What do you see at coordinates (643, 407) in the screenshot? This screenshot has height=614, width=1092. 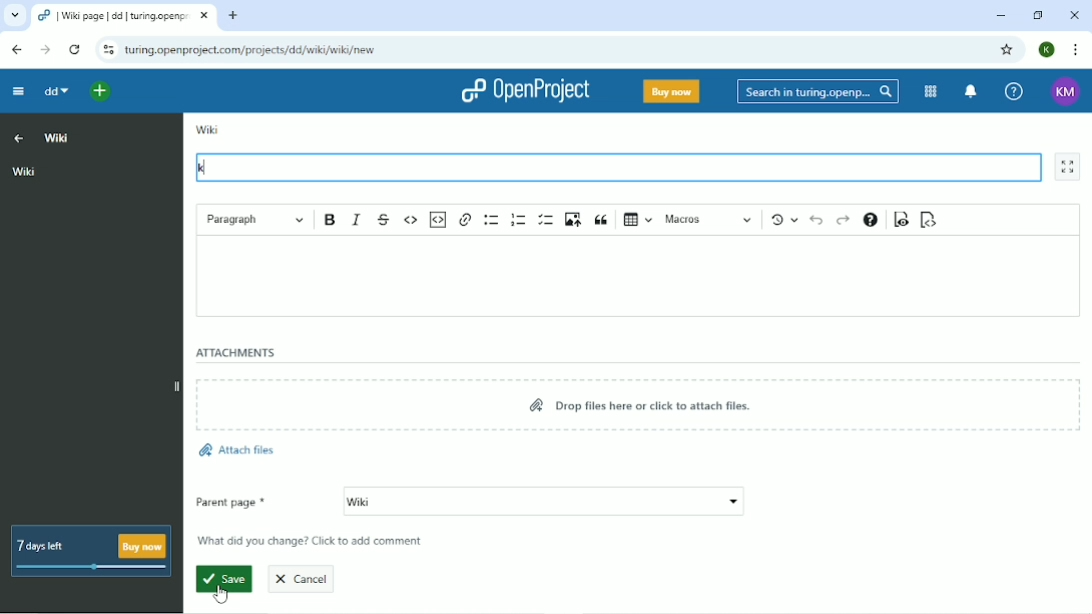 I see `Drop files here or click to attach files.` at bounding box center [643, 407].